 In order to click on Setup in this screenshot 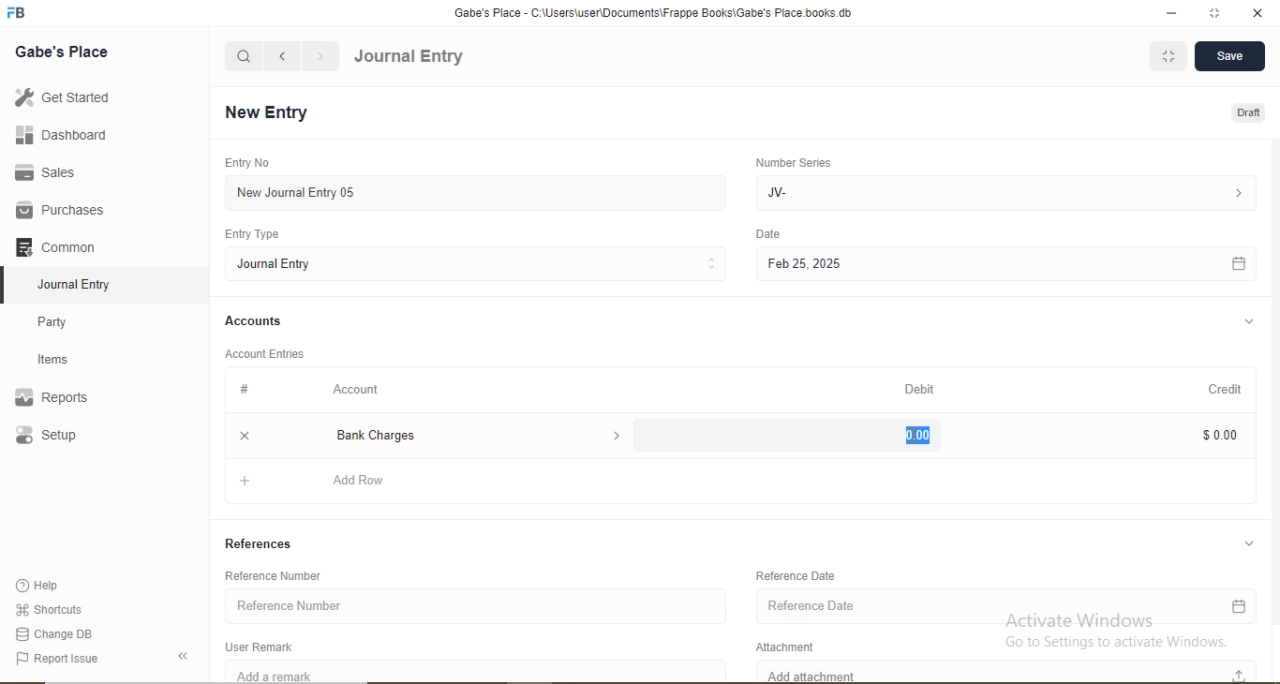, I will do `click(75, 437)`.